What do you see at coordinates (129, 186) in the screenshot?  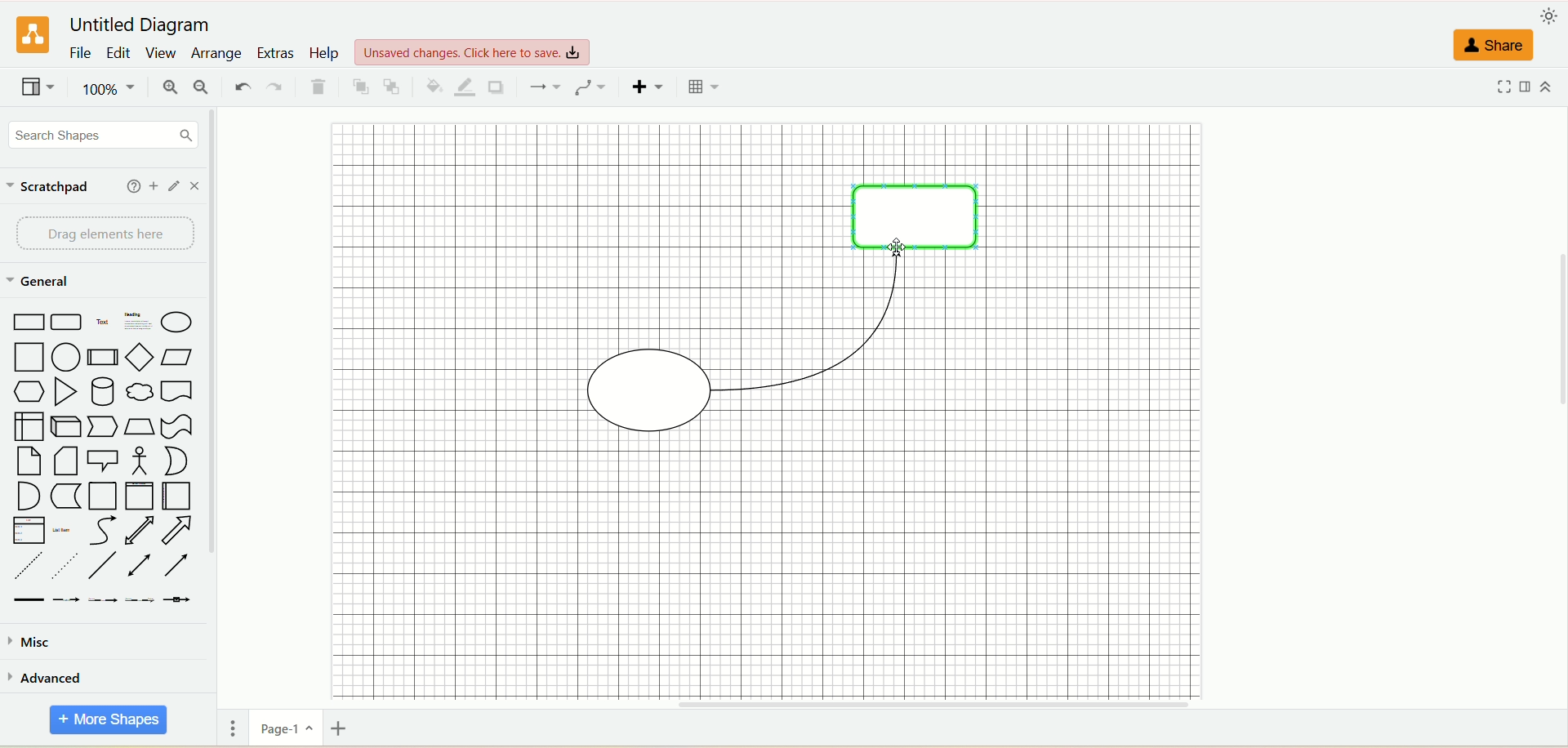 I see `help` at bounding box center [129, 186].